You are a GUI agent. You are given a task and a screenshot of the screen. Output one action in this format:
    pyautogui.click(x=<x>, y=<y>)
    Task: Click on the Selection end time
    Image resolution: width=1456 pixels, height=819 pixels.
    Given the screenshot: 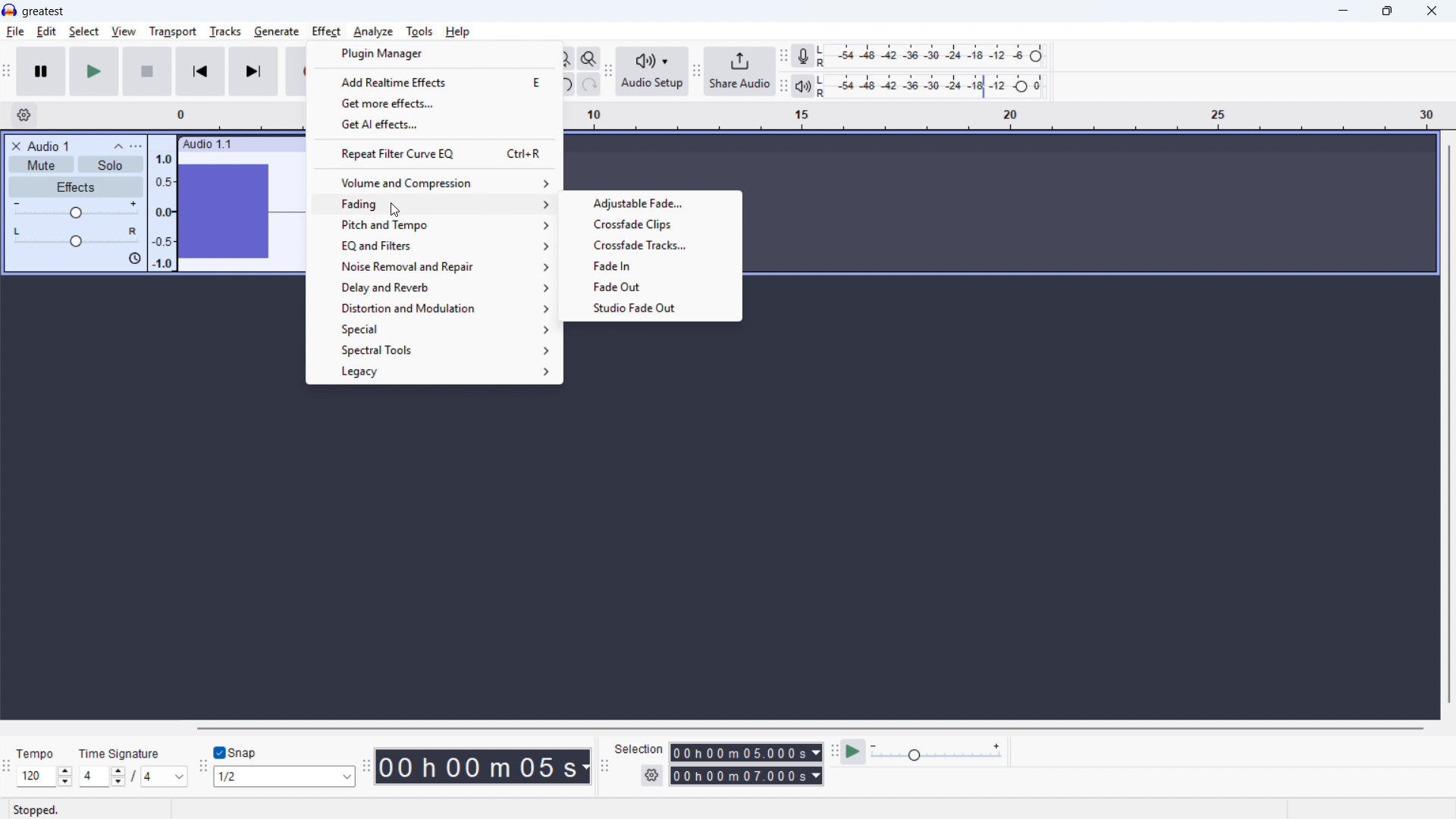 What is the action you would take?
    pyautogui.click(x=747, y=775)
    